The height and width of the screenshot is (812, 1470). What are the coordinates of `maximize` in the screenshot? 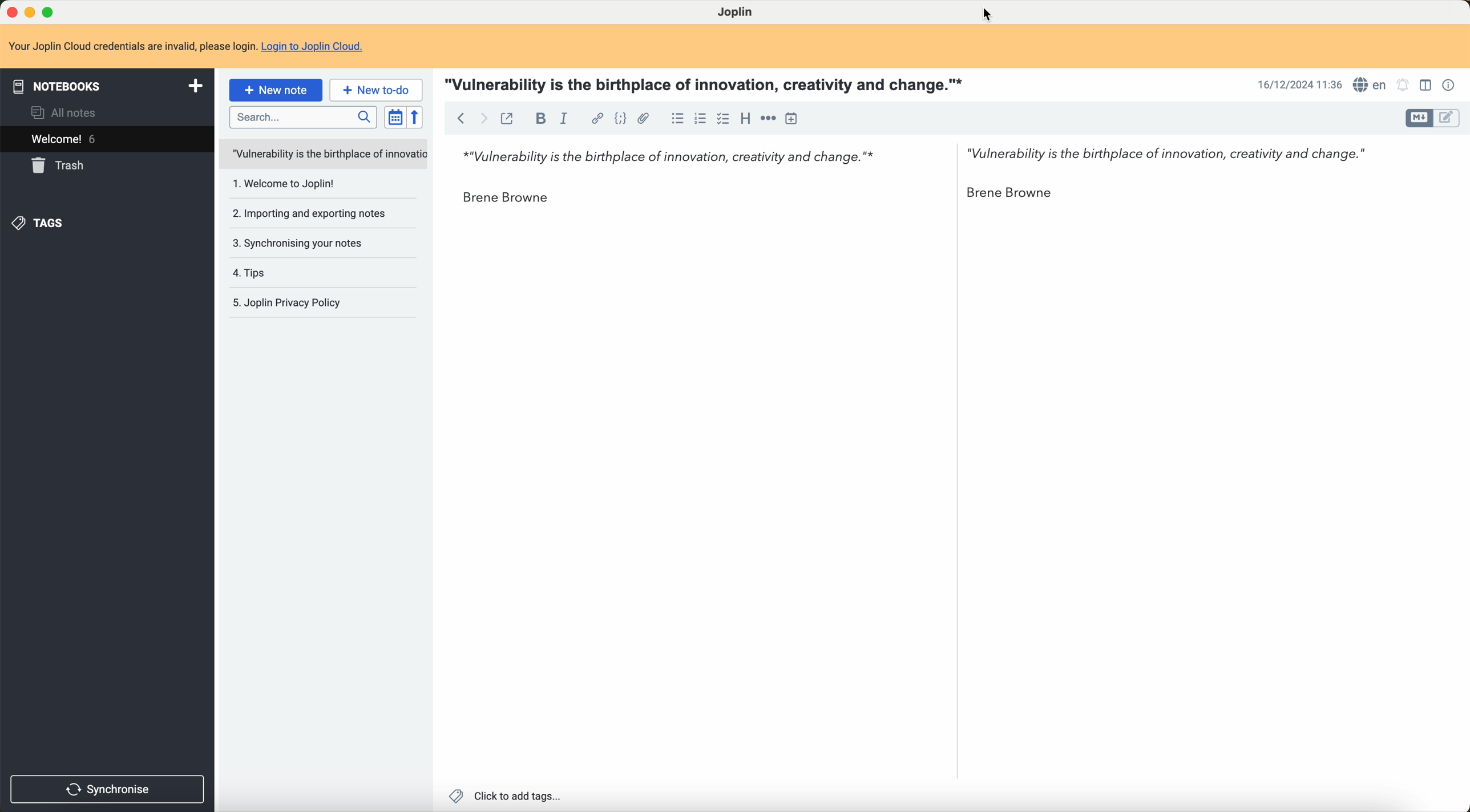 It's located at (55, 10).